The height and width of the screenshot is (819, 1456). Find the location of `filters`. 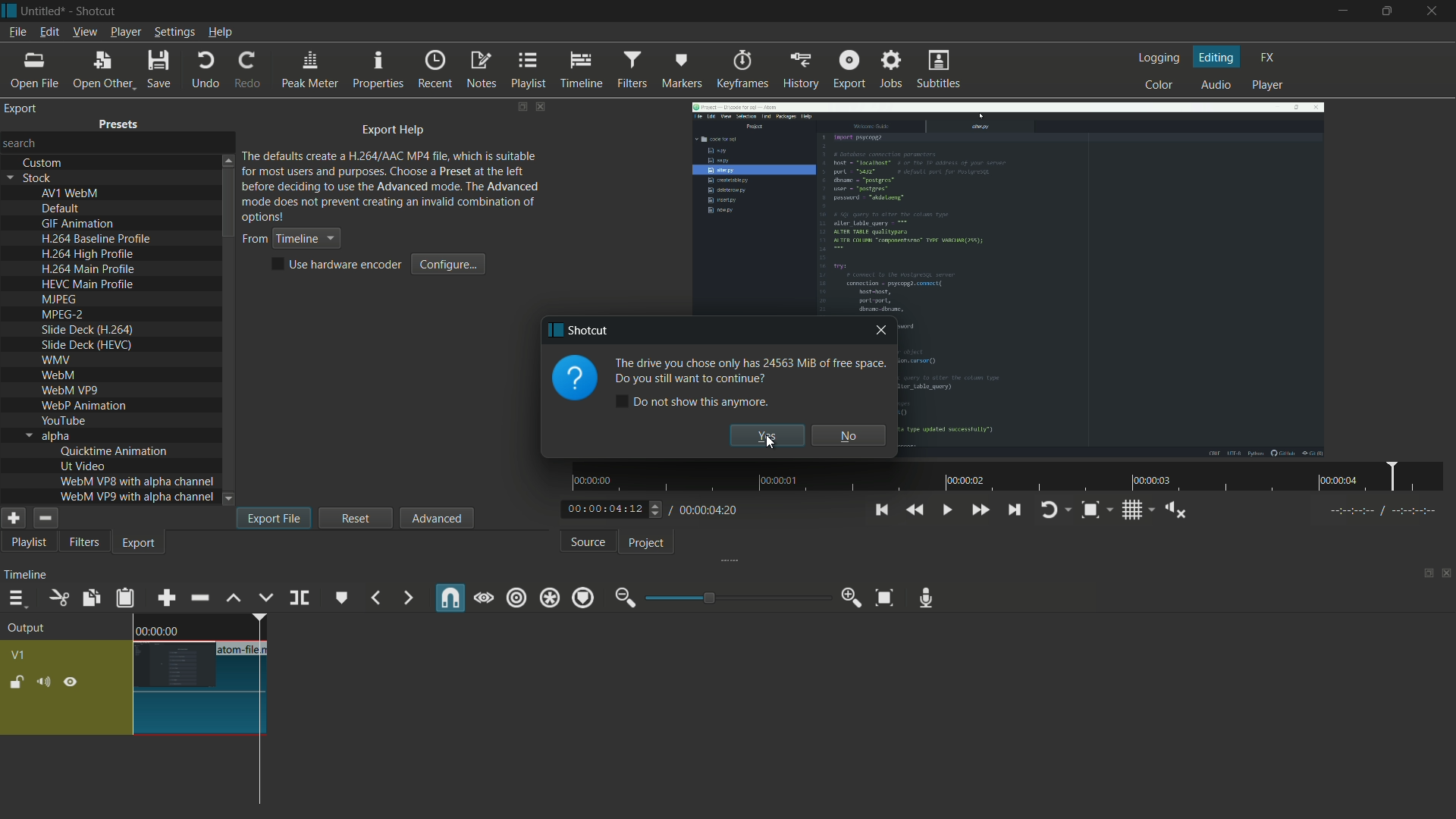

filters is located at coordinates (632, 69).